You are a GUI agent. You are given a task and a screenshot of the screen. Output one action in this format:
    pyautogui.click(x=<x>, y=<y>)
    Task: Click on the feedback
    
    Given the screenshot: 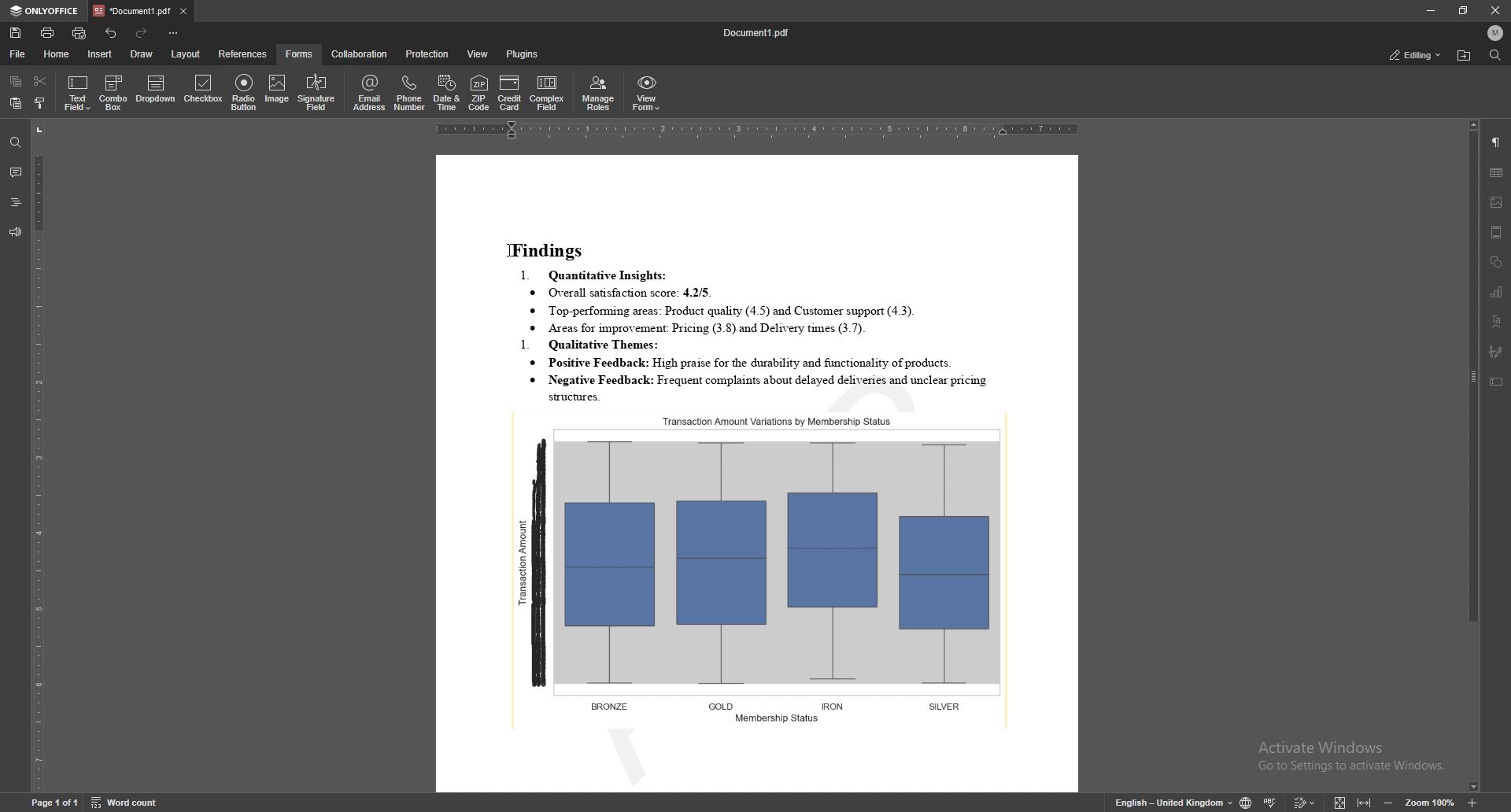 What is the action you would take?
    pyautogui.click(x=13, y=233)
    